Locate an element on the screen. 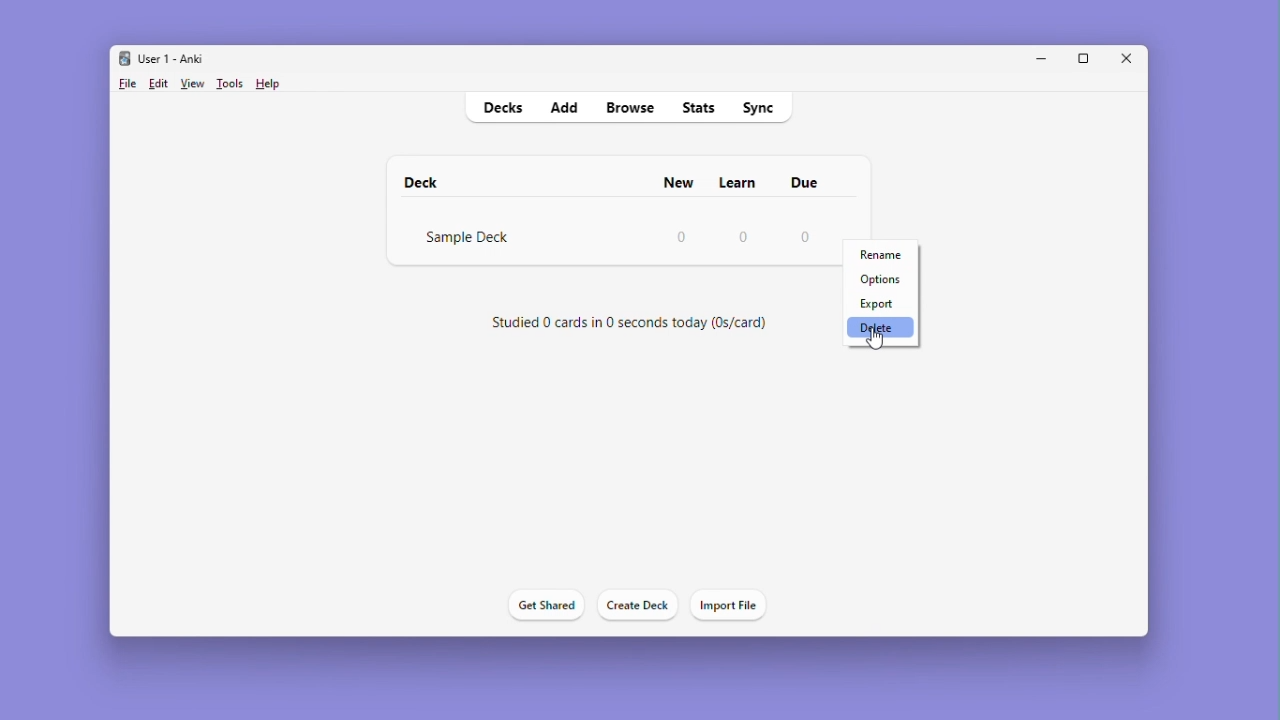  New is located at coordinates (678, 184).